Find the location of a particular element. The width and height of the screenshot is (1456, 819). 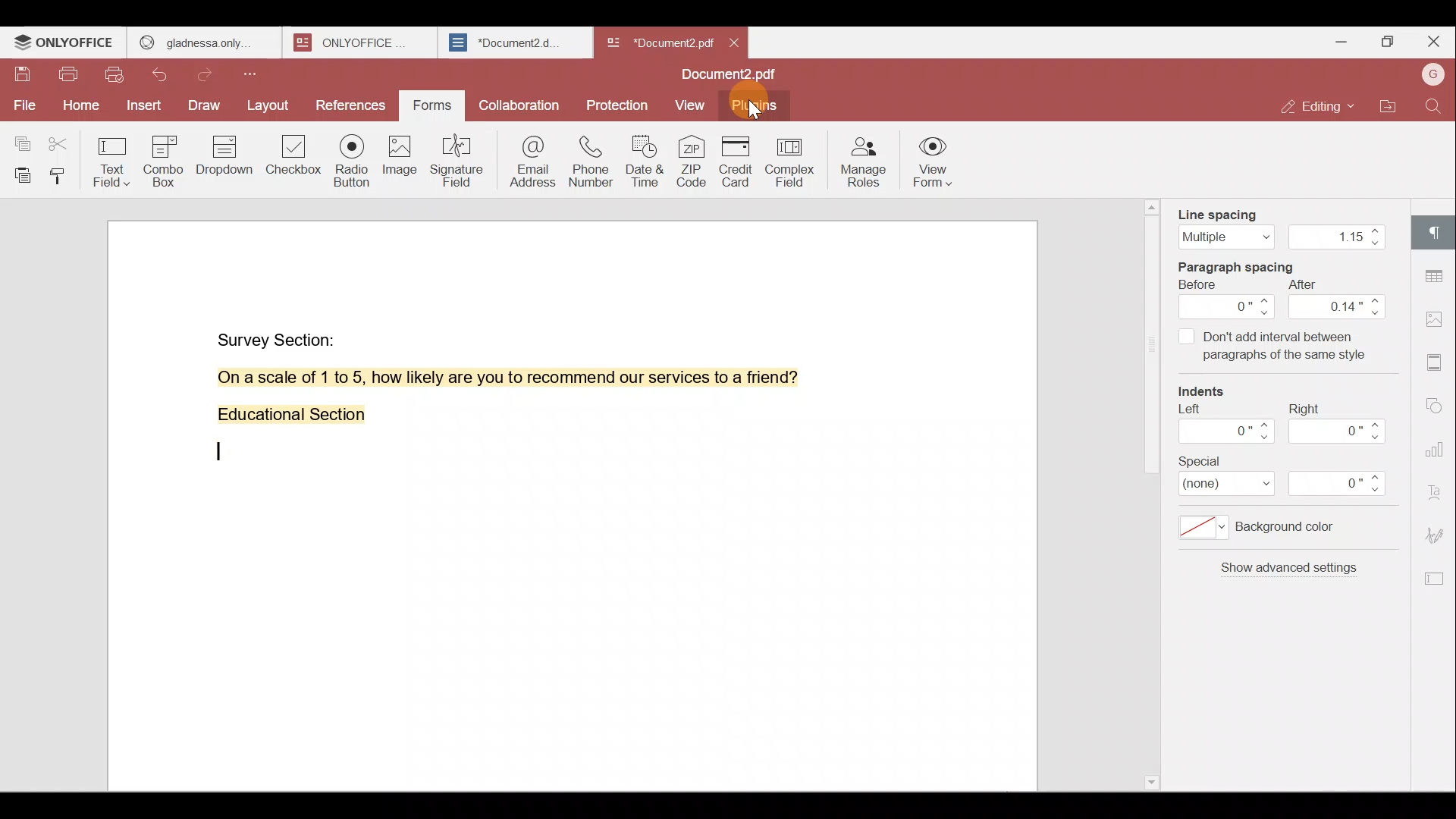

Save is located at coordinates (22, 78).